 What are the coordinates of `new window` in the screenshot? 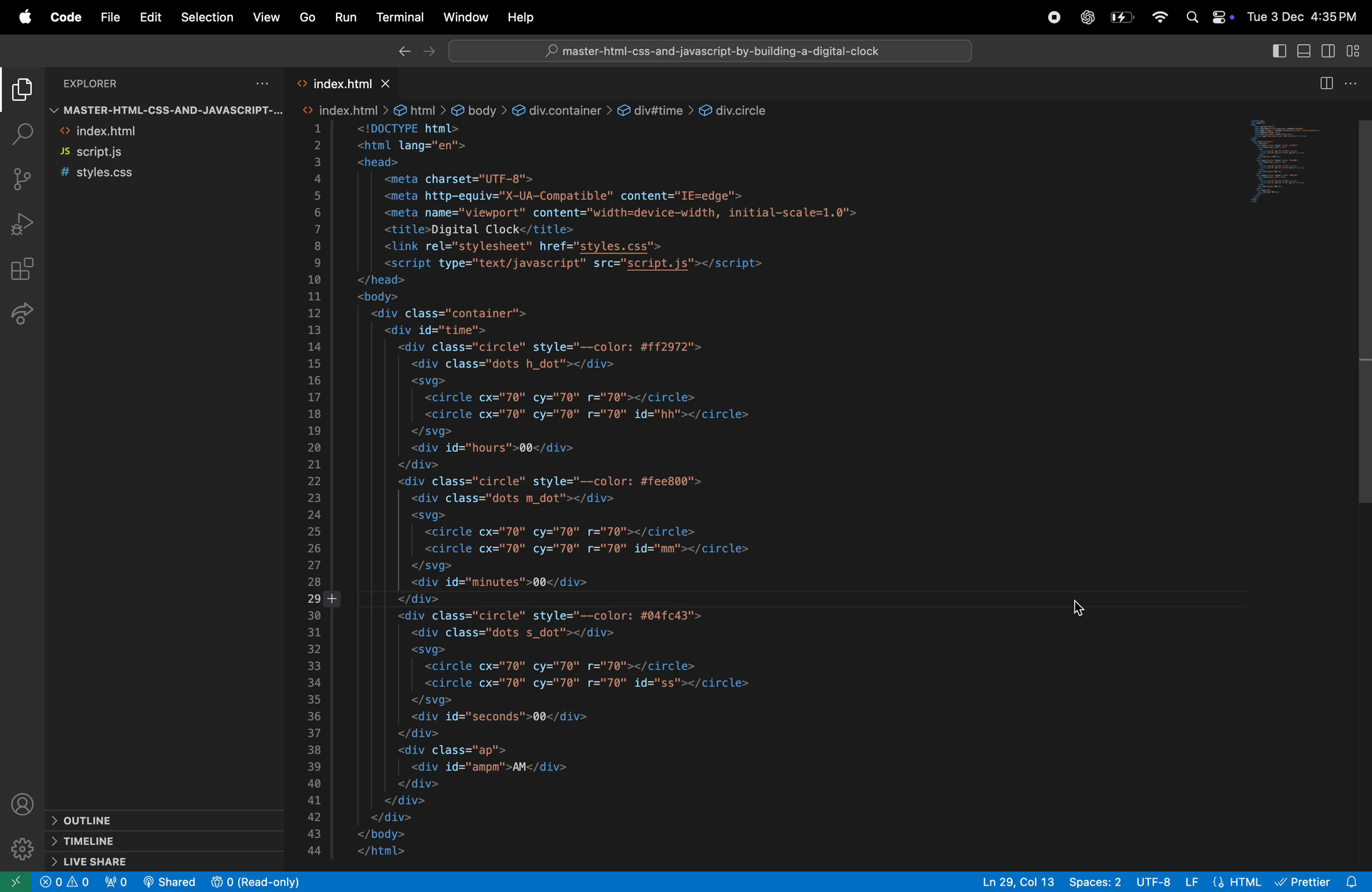 It's located at (13, 883).